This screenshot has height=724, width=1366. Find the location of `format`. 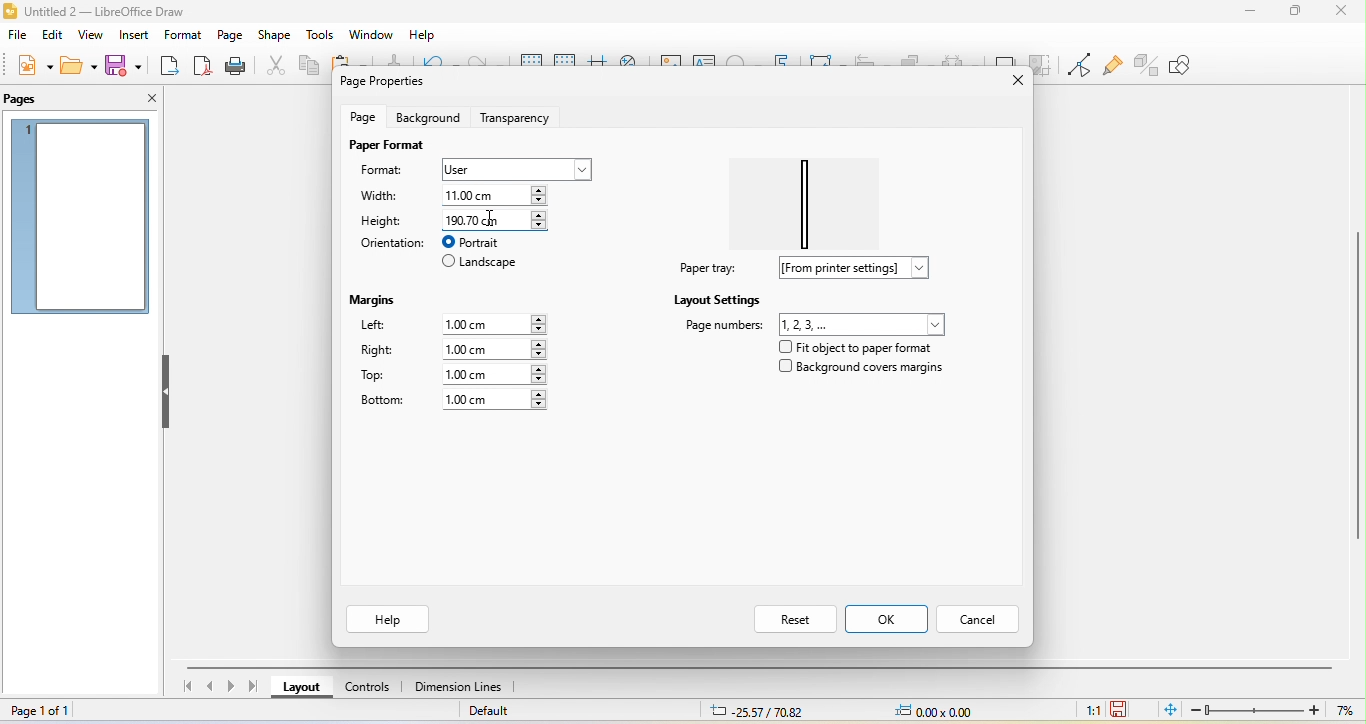

format is located at coordinates (391, 172).